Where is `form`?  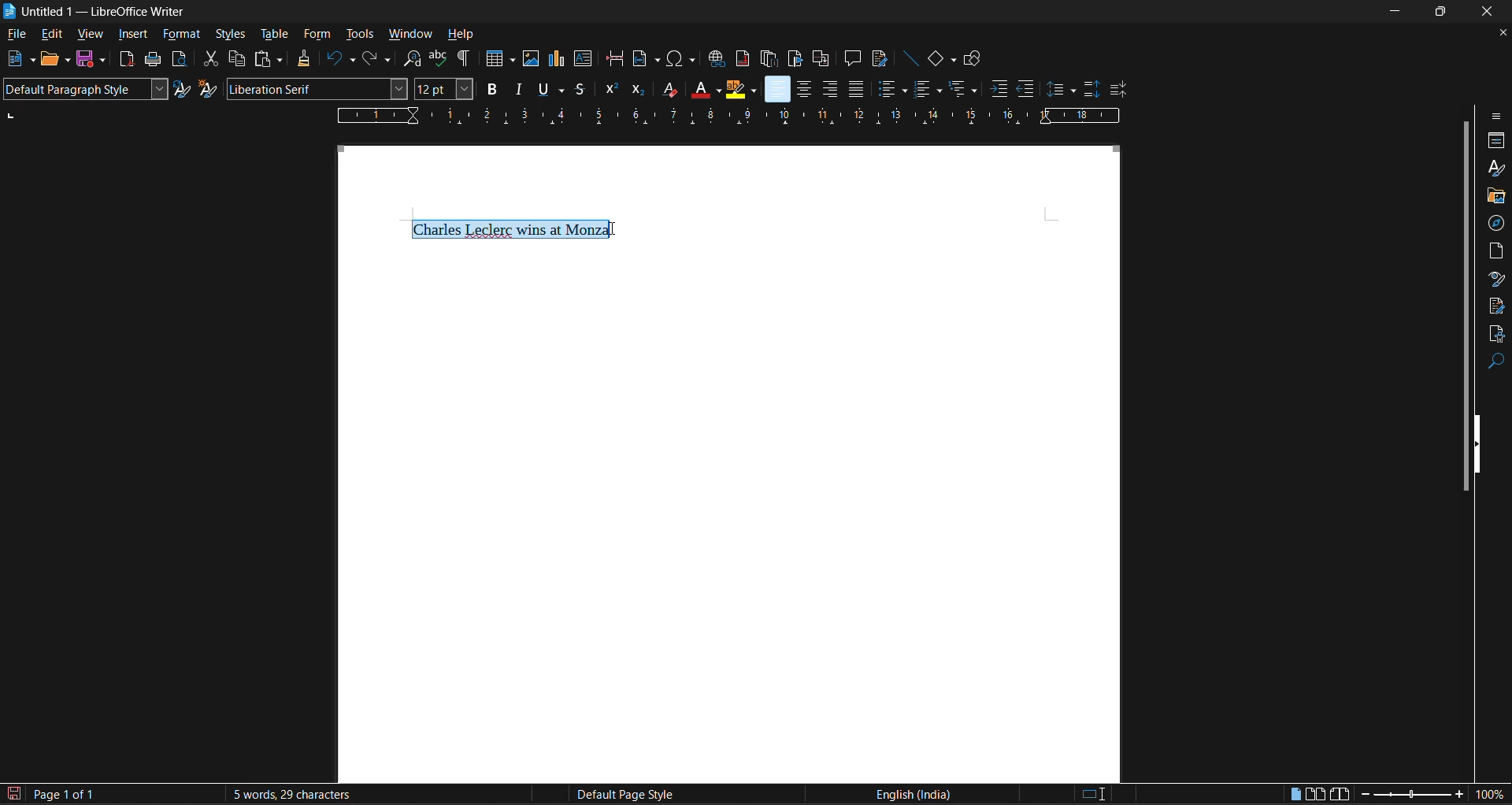
form is located at coordinates (317, 35).